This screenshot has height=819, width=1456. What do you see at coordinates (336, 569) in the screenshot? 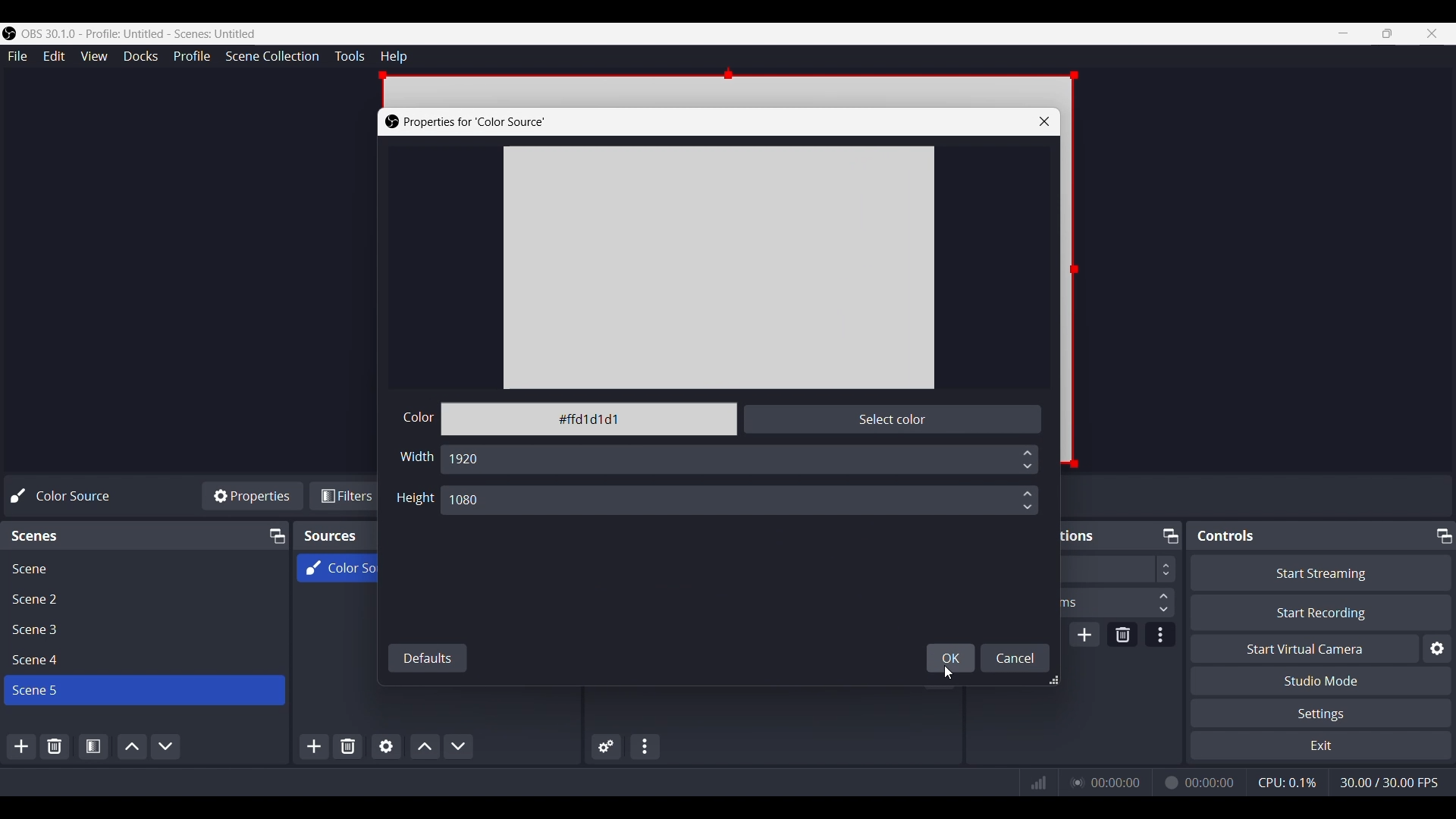
I see `Color source` at bounding box center [336, 569].